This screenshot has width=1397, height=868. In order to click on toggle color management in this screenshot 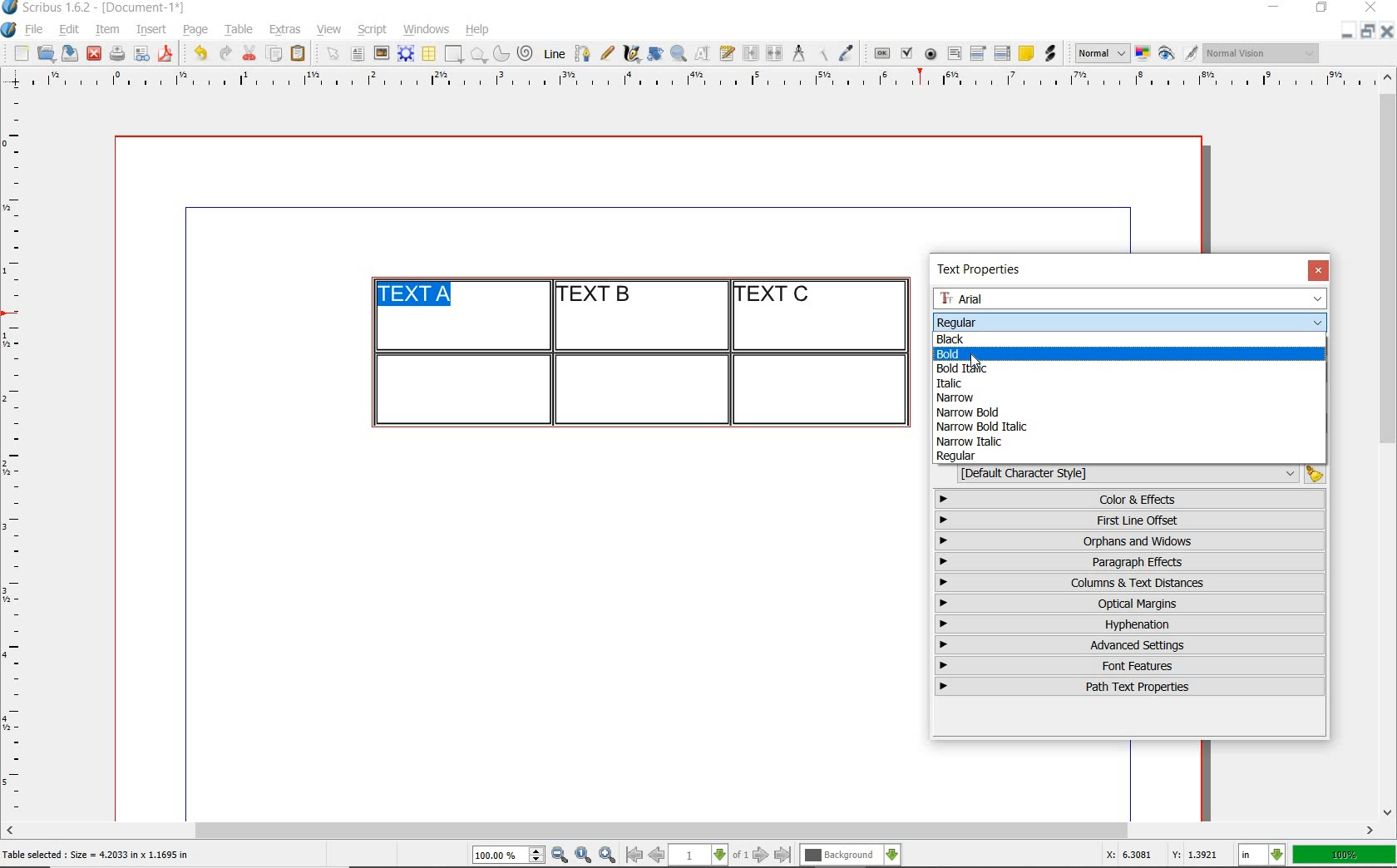, I will do `click(1144, 55)`.